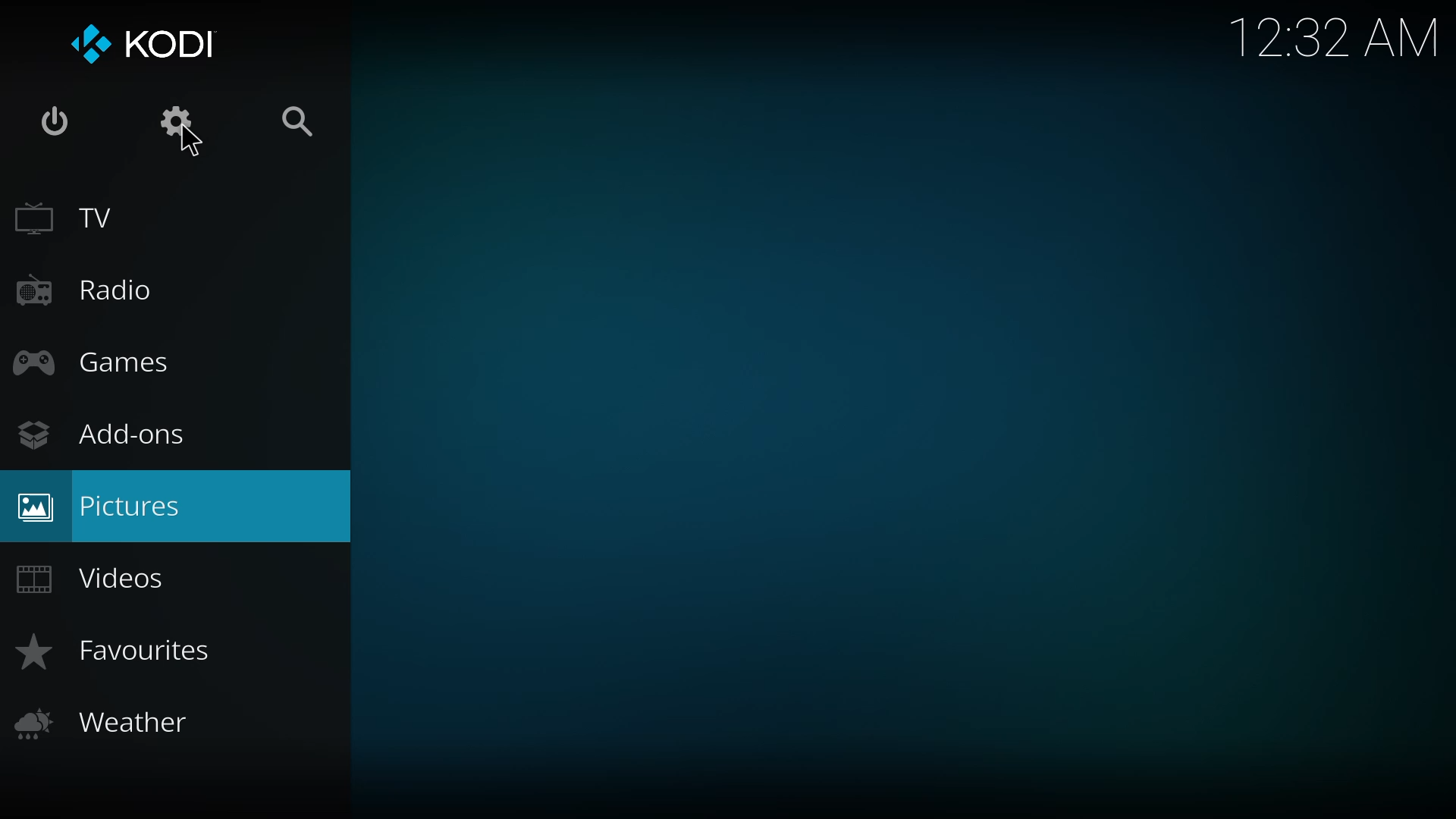 The image size is (1456, 819). Describe the element at coordinates (184, 121) in the screenshot. I see `settings` at that location.